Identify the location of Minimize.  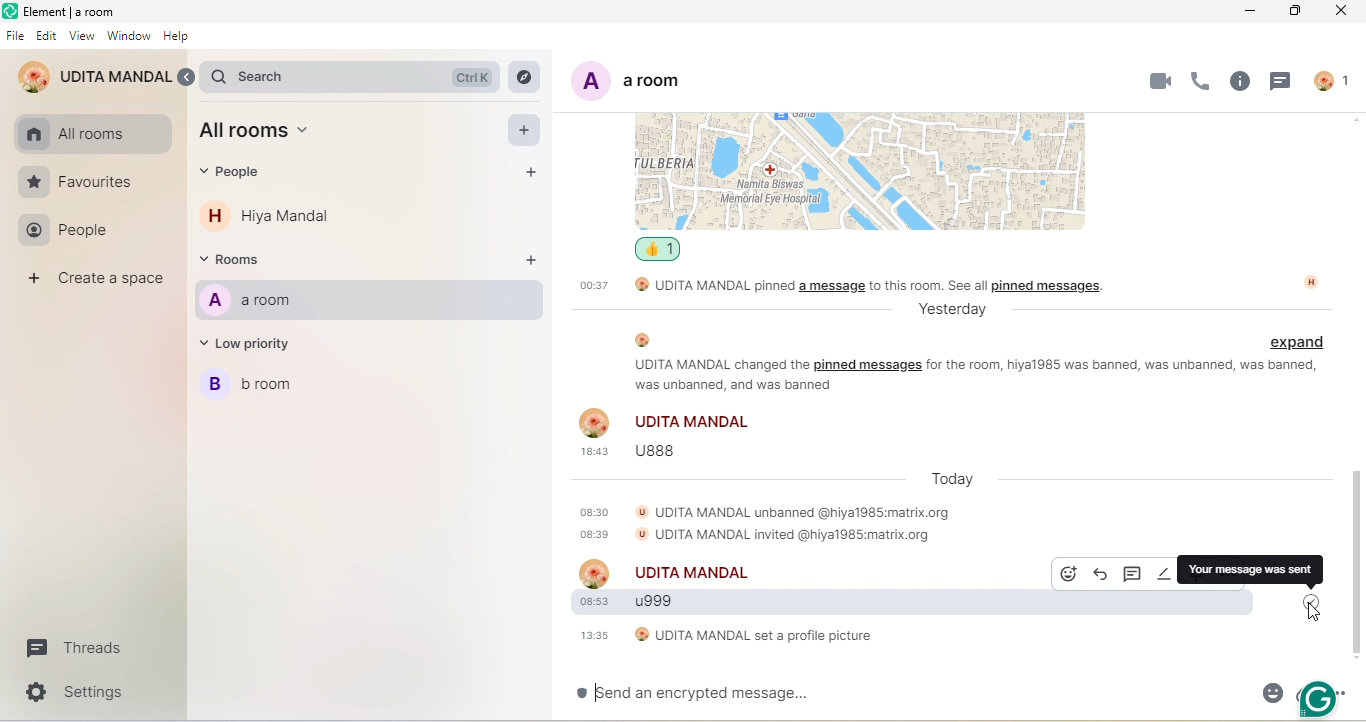
(1250, 13).